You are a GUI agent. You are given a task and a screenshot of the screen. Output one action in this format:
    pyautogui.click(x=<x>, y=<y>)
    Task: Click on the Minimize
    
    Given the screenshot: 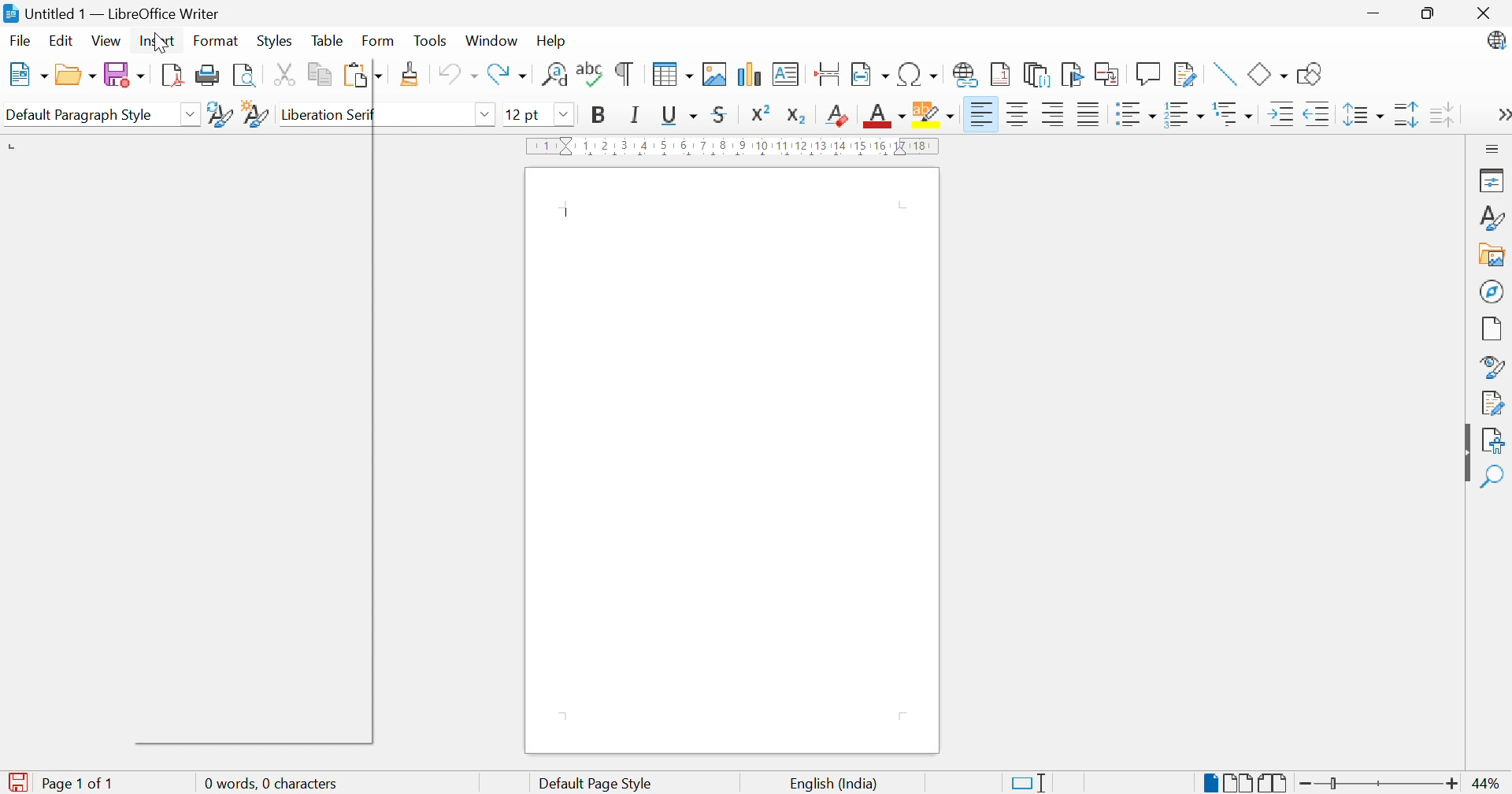 What is the action you would take?
    pyautogui.click(x=1376, y=12)
    